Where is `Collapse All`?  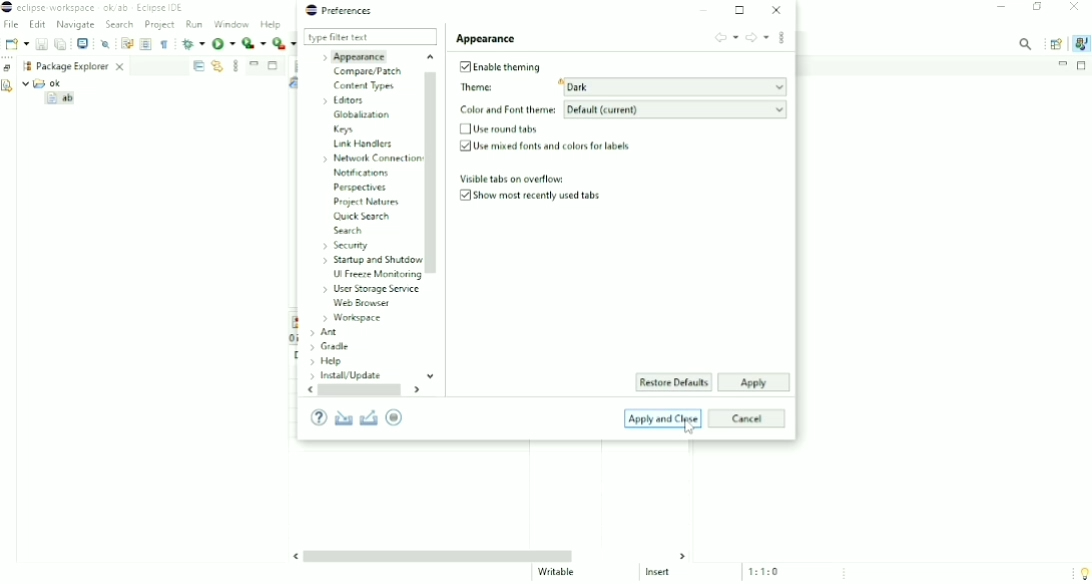 Collapse All is located at coordinates (198, 66).